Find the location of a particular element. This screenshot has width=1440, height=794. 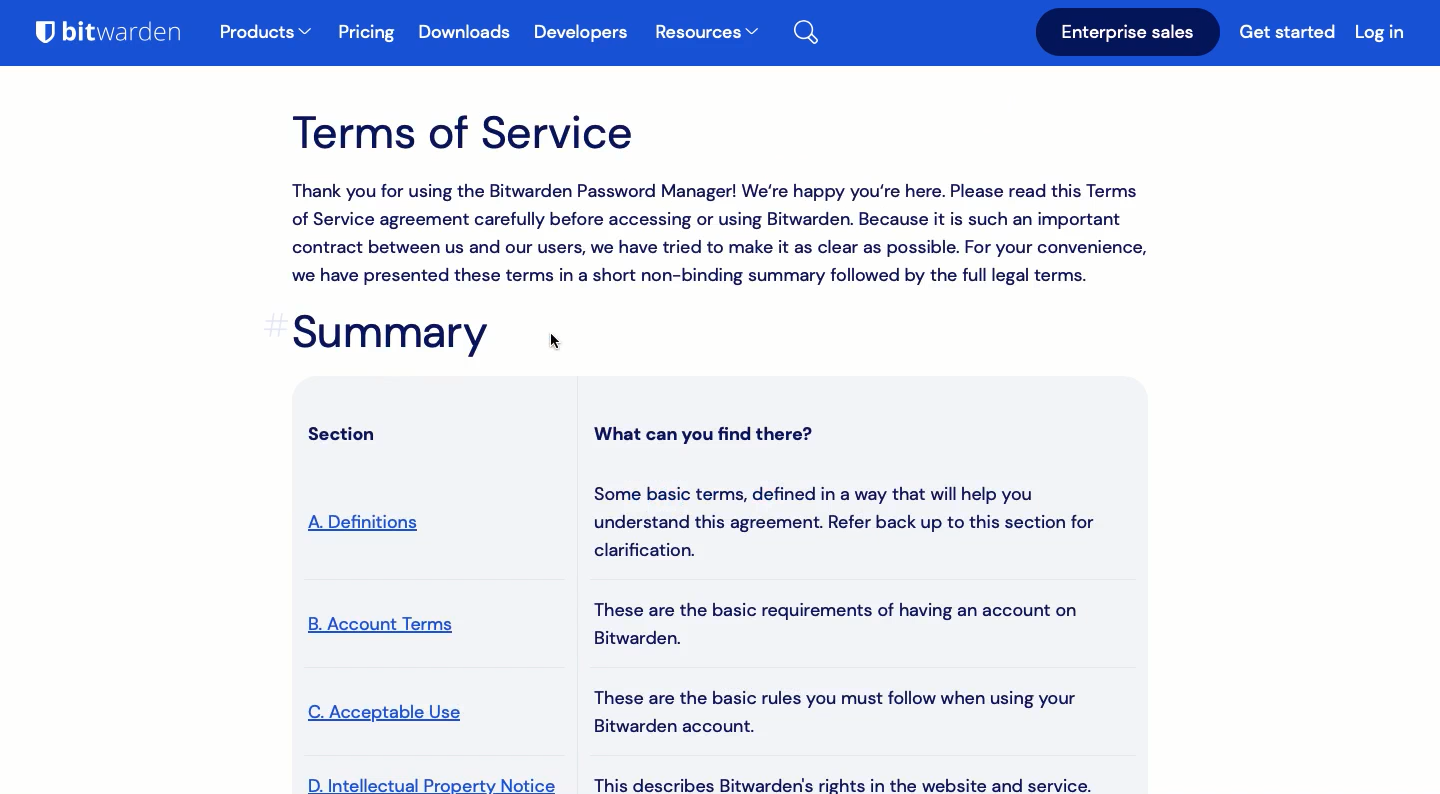

Downloads is located at coordinates (469, 35).